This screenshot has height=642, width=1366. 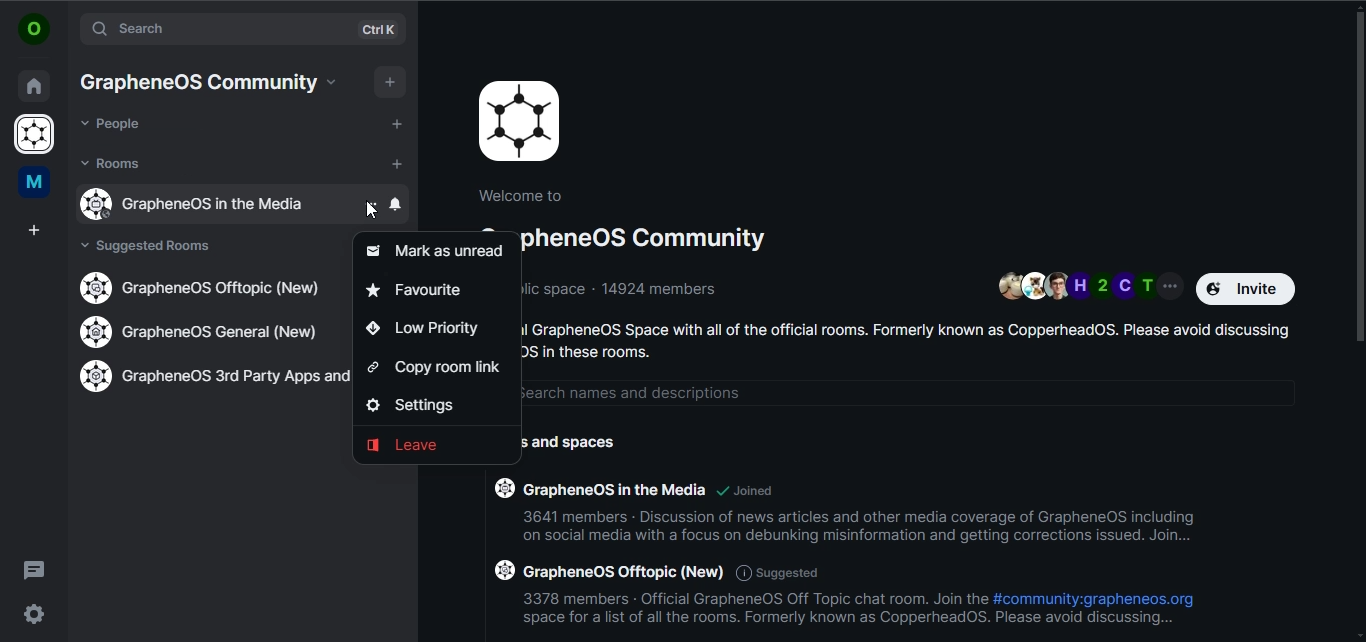 I want to click on add, so click(x=392, y=80).